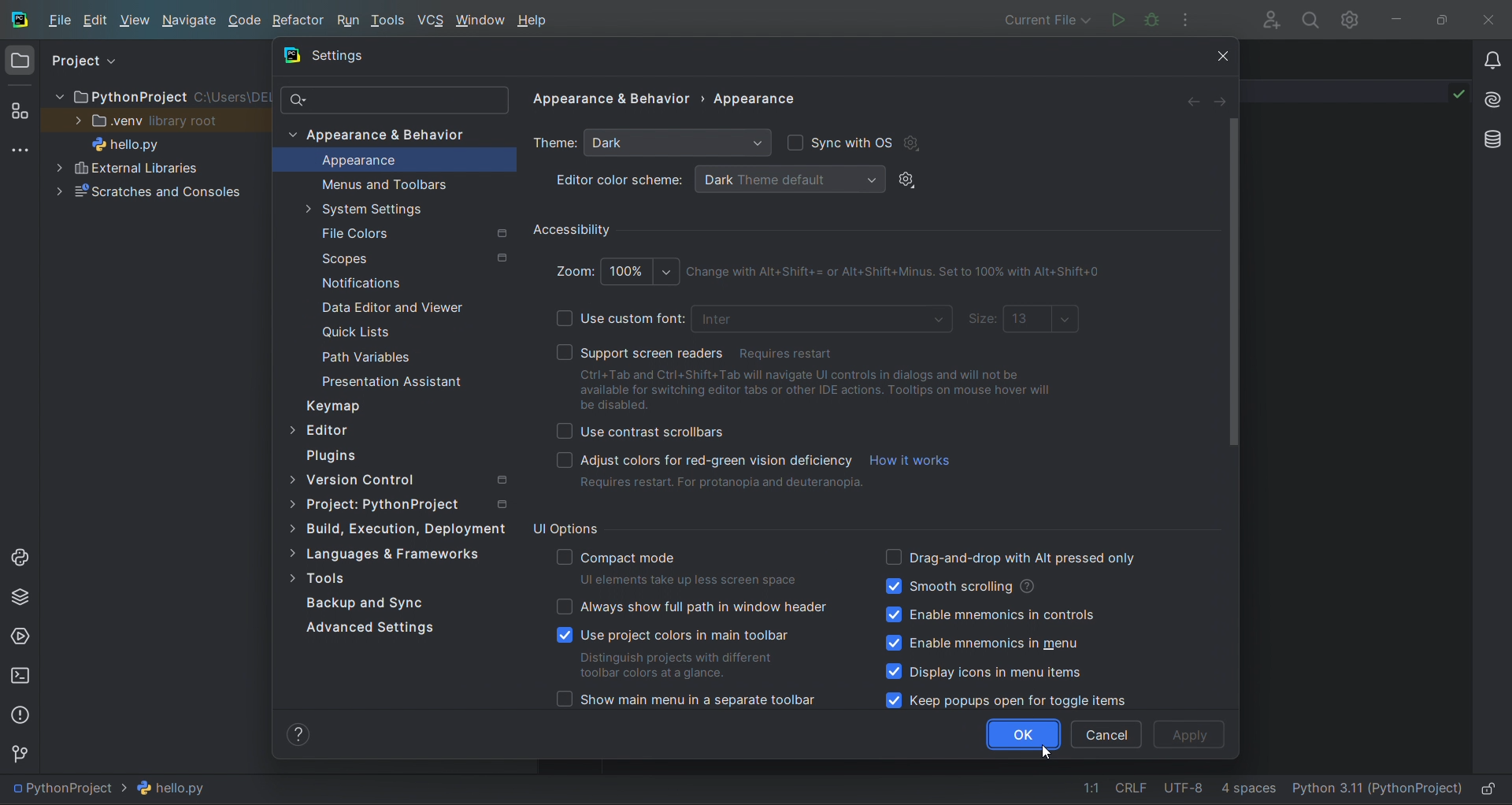  Describe the element at coordinates (1192, 20) in the screenshot. I see `options` at that location.